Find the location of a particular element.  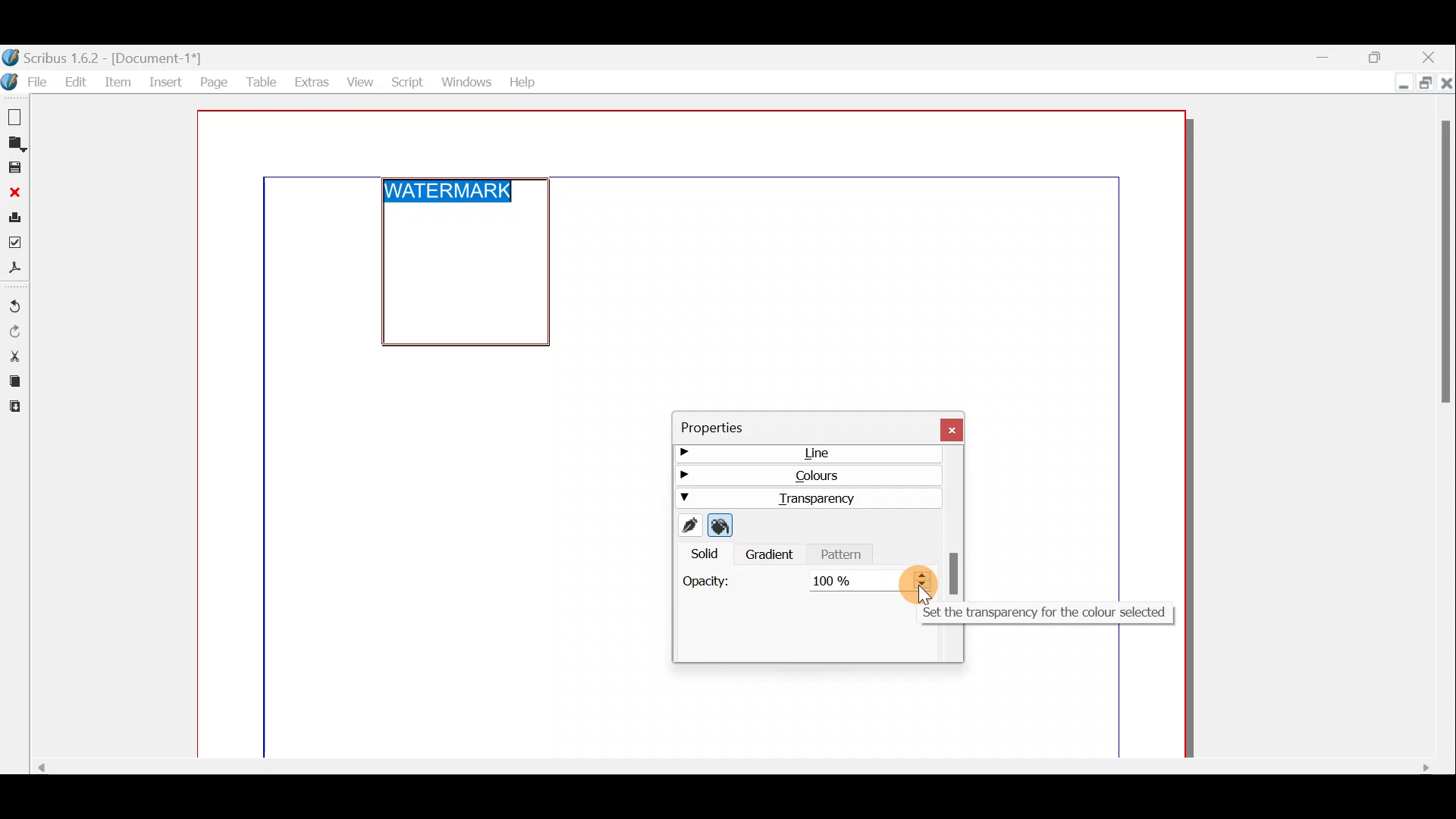

View is located at coordinates (360, 81).